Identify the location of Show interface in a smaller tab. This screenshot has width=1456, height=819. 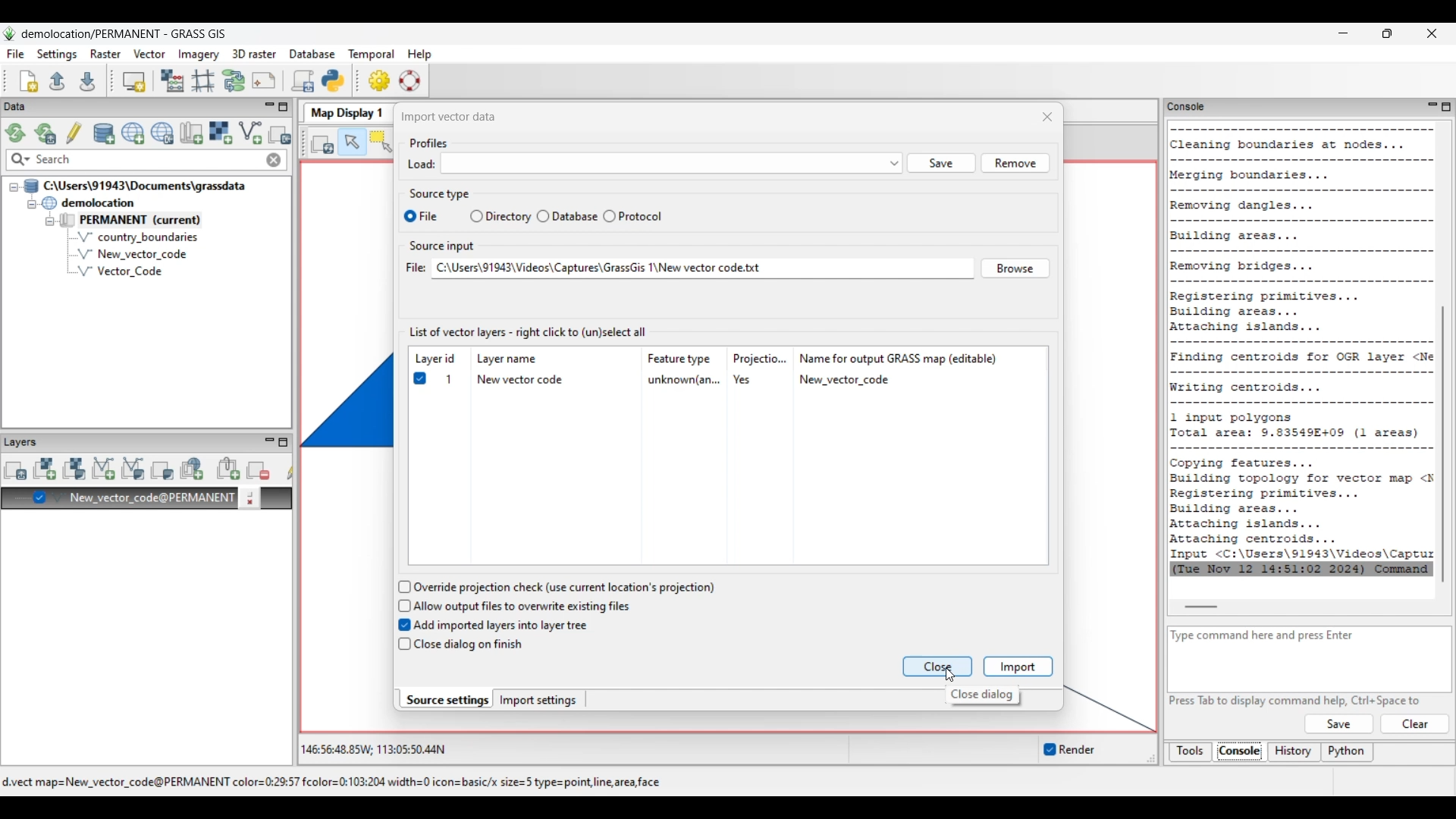
(1387, 33).